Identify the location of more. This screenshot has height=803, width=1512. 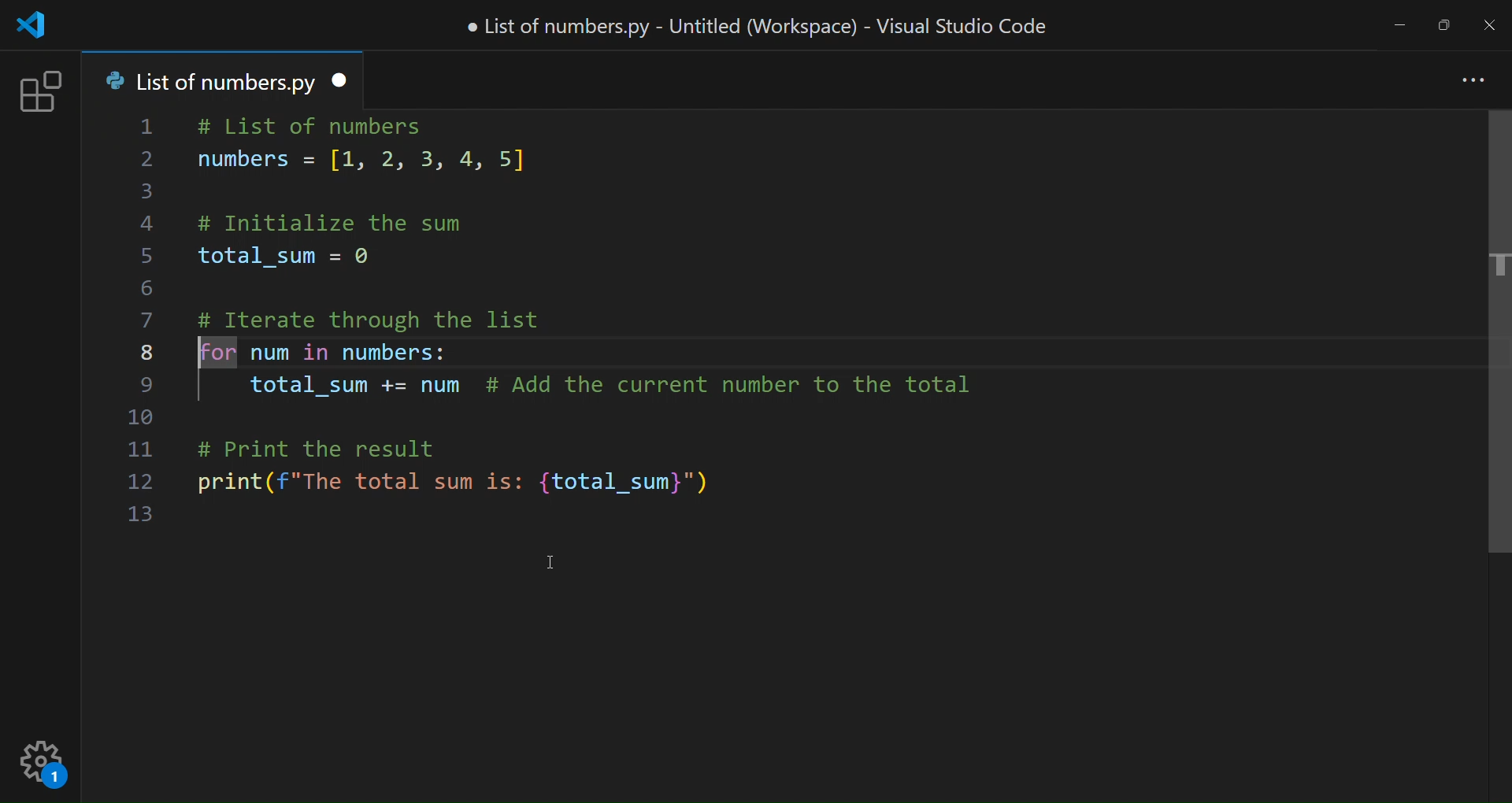
(1475, 78).